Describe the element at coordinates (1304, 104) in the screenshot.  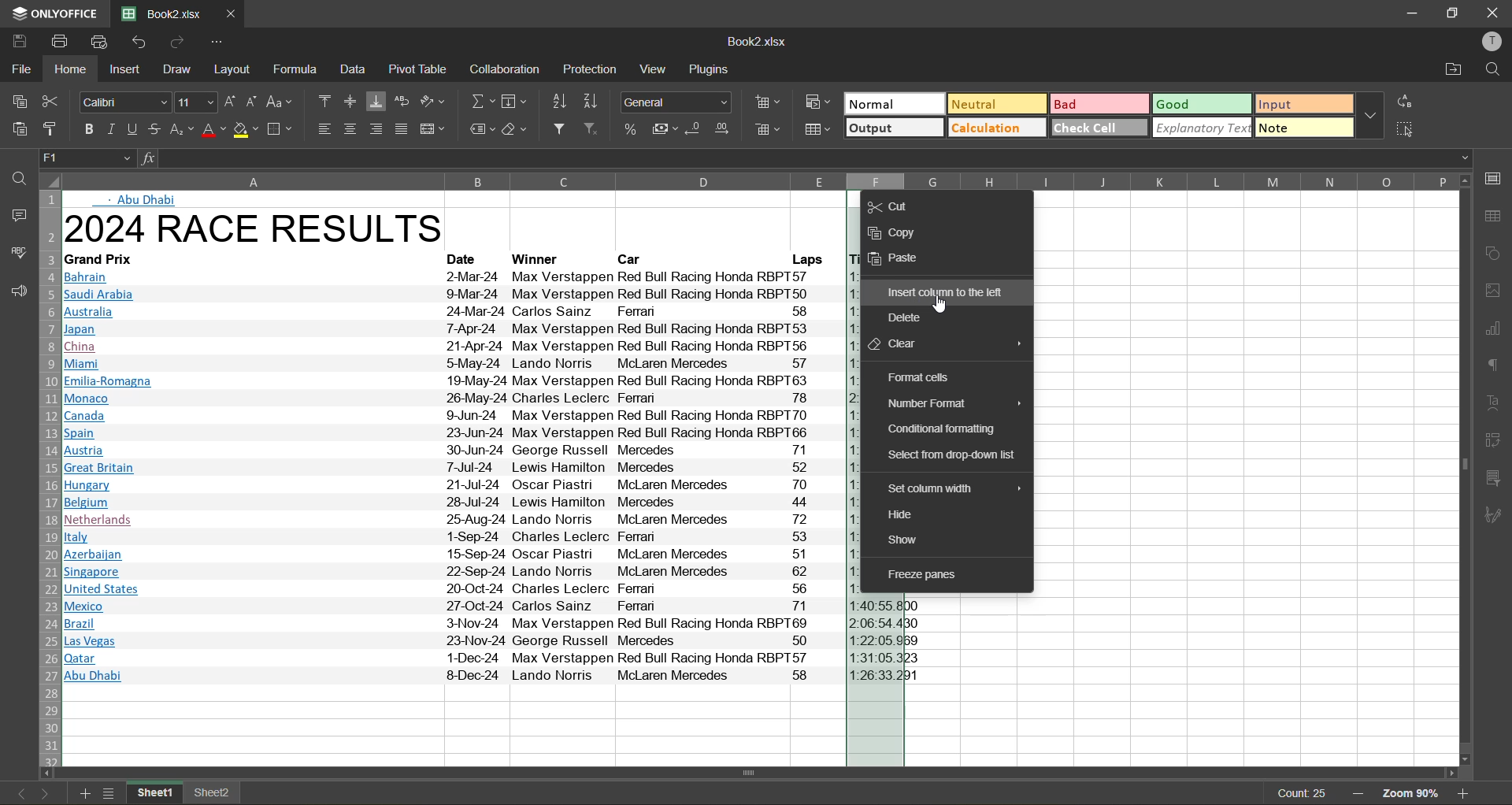
I see `input` at that location.